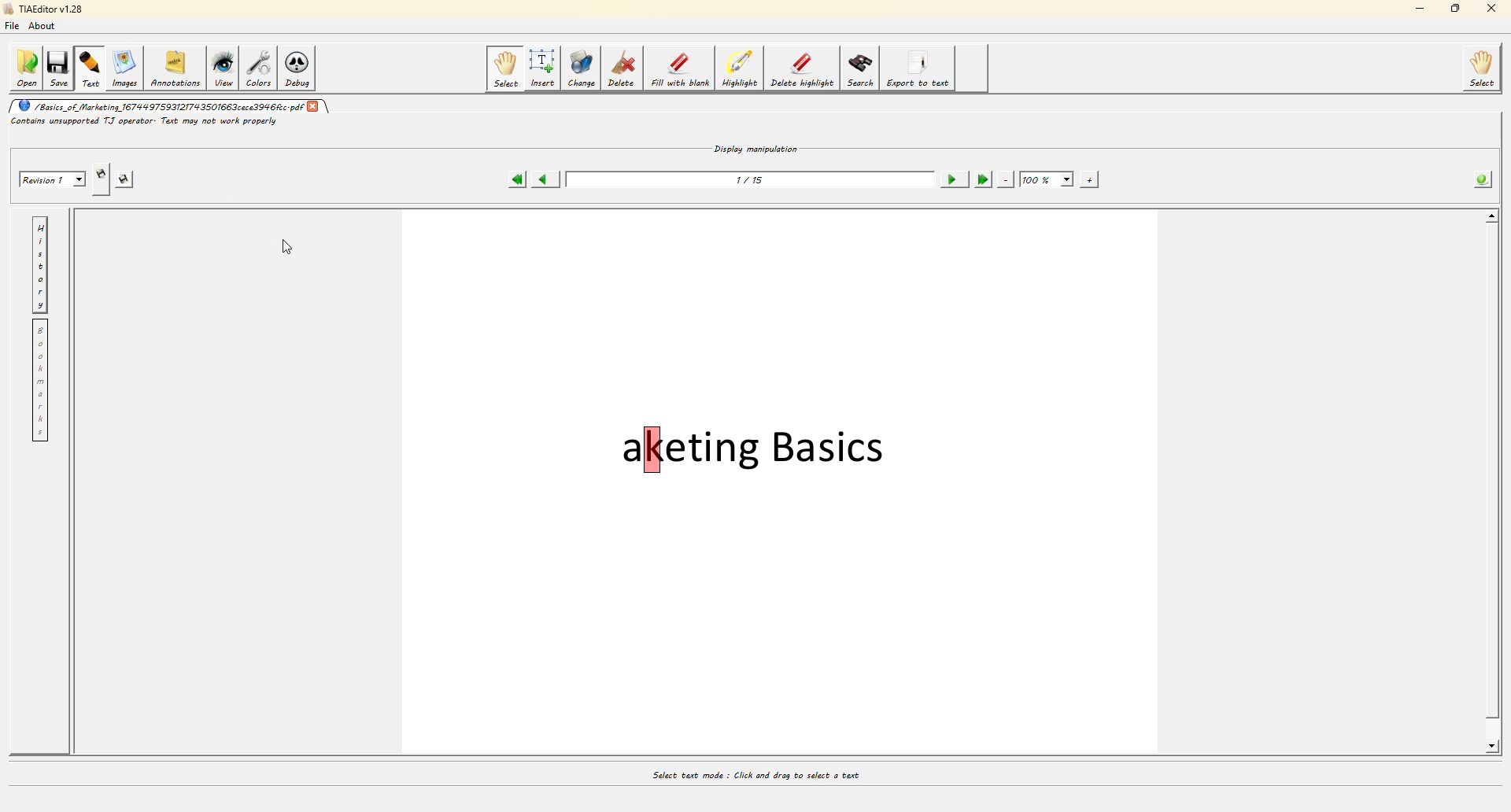 The image size is (1511, 812). I want to click on next page, so click(951, 175).